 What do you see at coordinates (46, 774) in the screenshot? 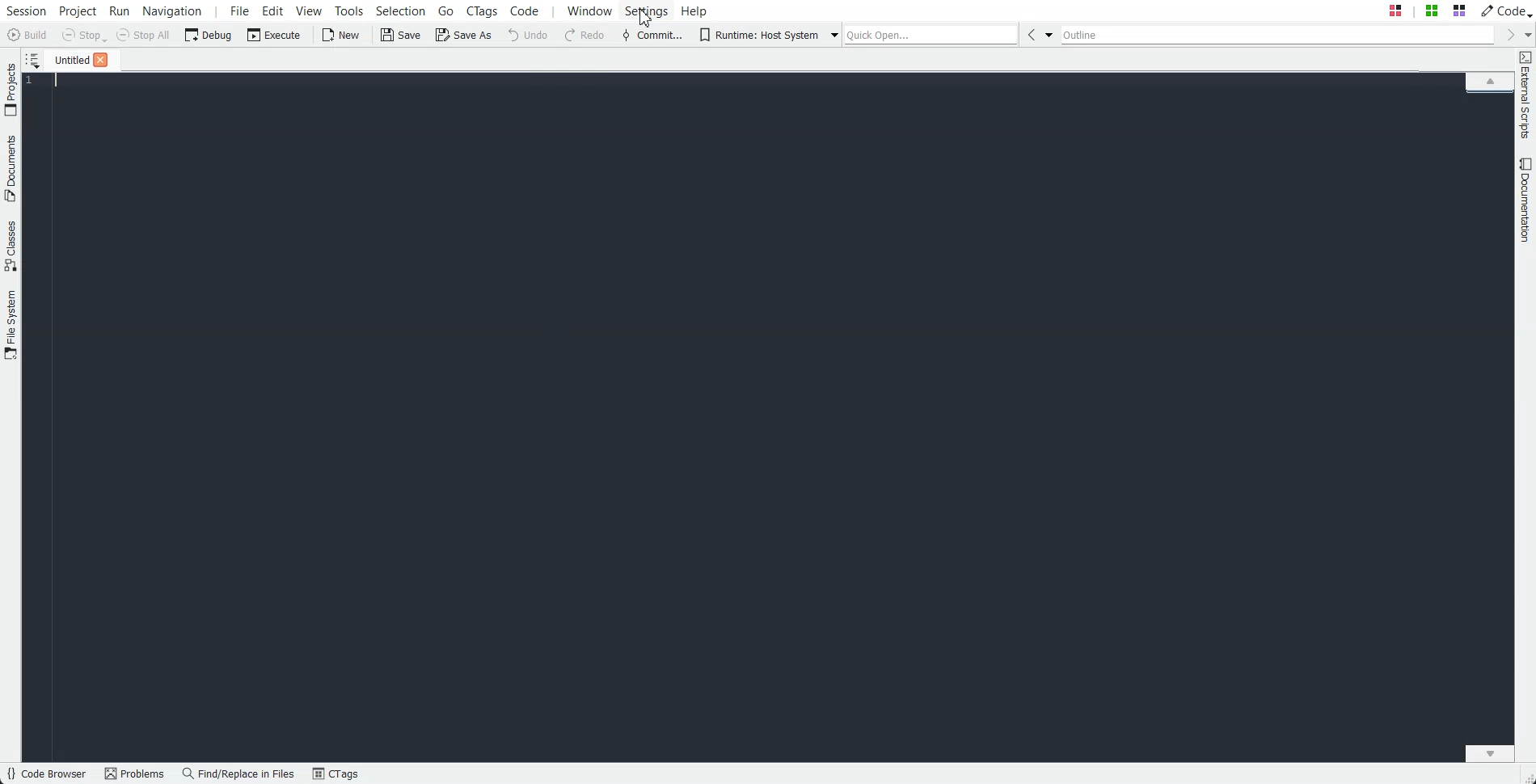
I see `Code Browser` at bounding box center [46, 774].